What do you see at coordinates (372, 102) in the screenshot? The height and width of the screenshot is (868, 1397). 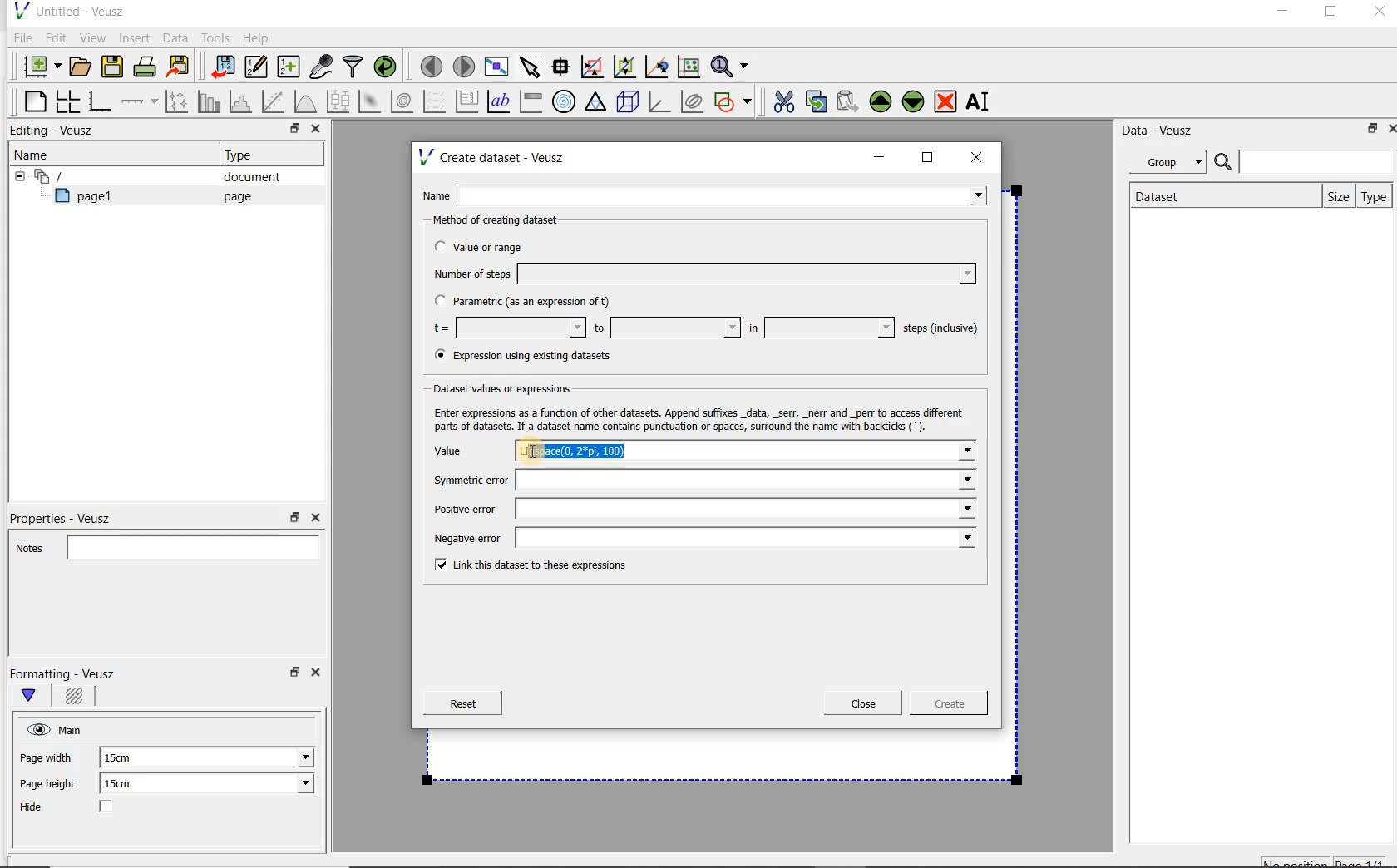 I see `plot a 2d dataset as an image` at bounding box center [372, 102].